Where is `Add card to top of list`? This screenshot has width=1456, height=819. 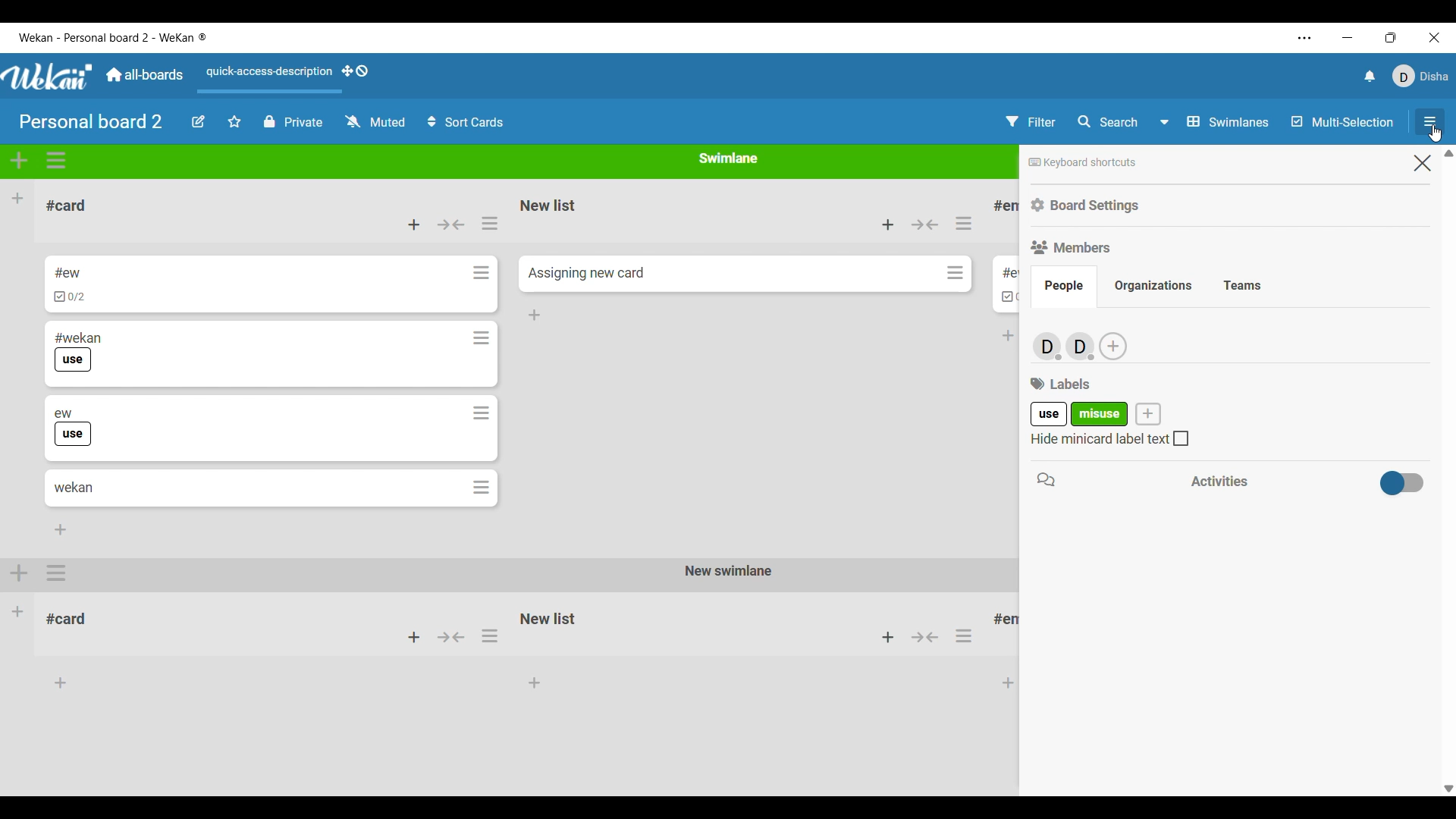 Add card to top of list is located at coordinates (888, 224).